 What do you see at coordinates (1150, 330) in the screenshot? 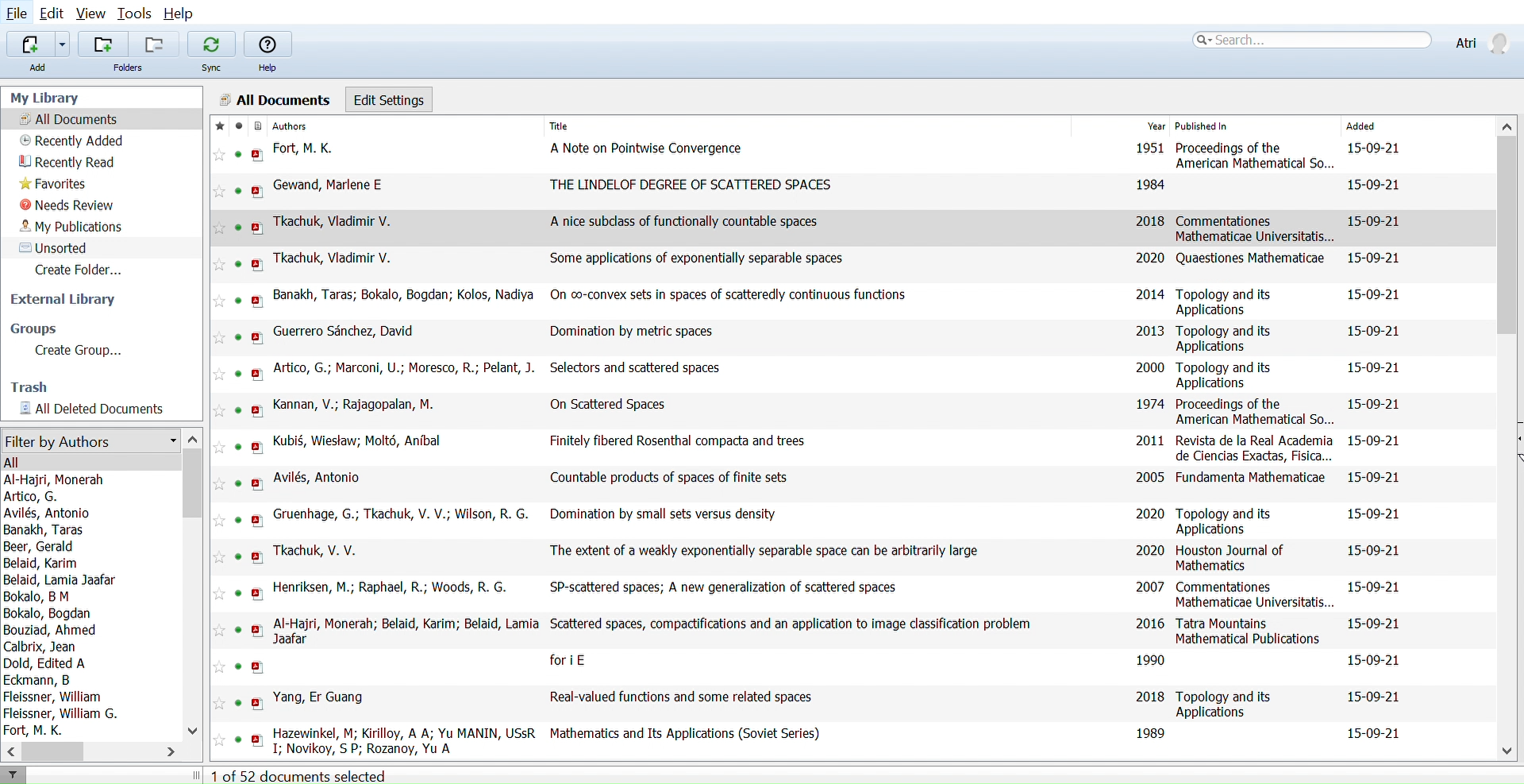
I see `2013` at bounding box center [1150, 330].